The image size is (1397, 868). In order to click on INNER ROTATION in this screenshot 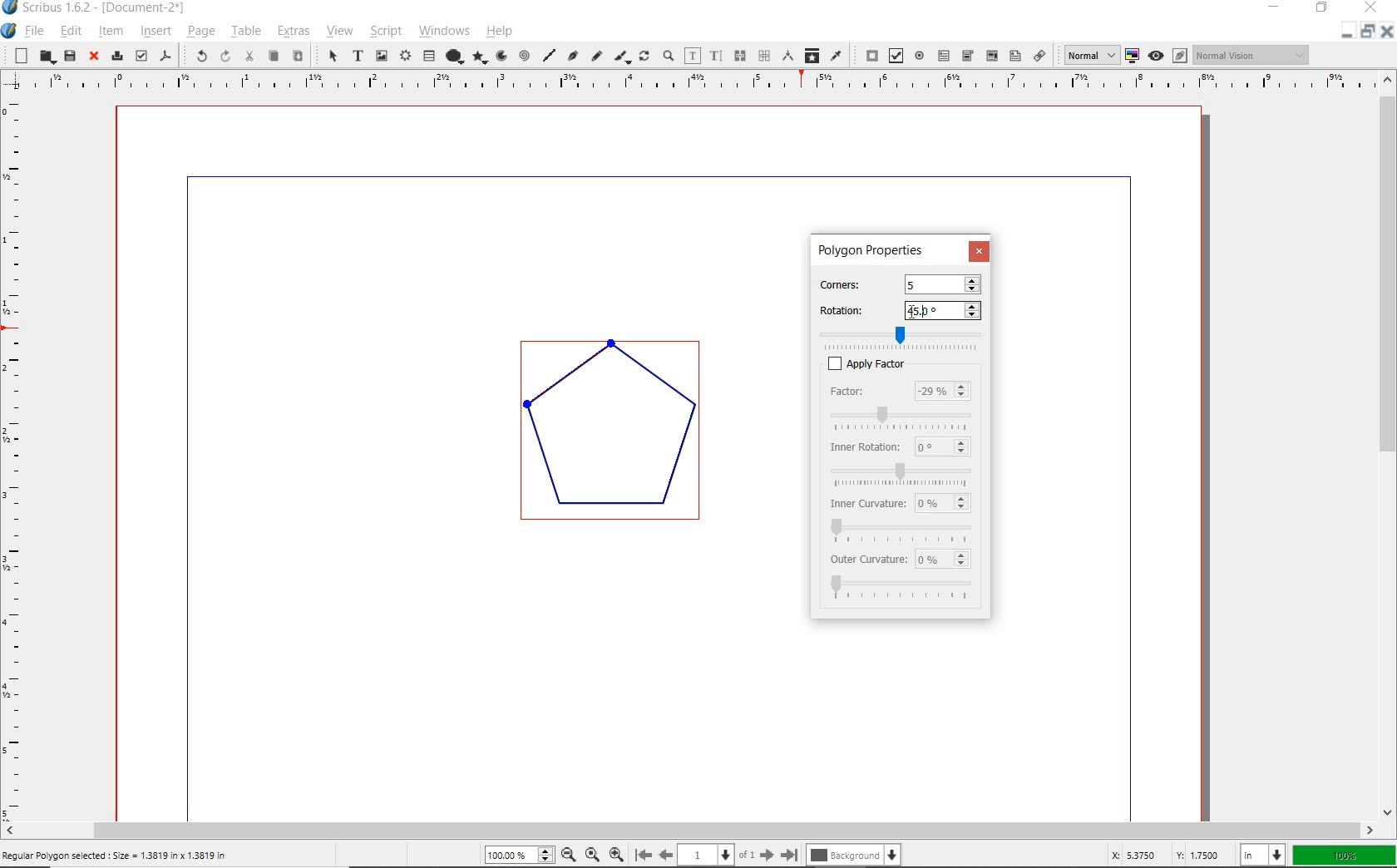, I will do `click(863, 446)`.